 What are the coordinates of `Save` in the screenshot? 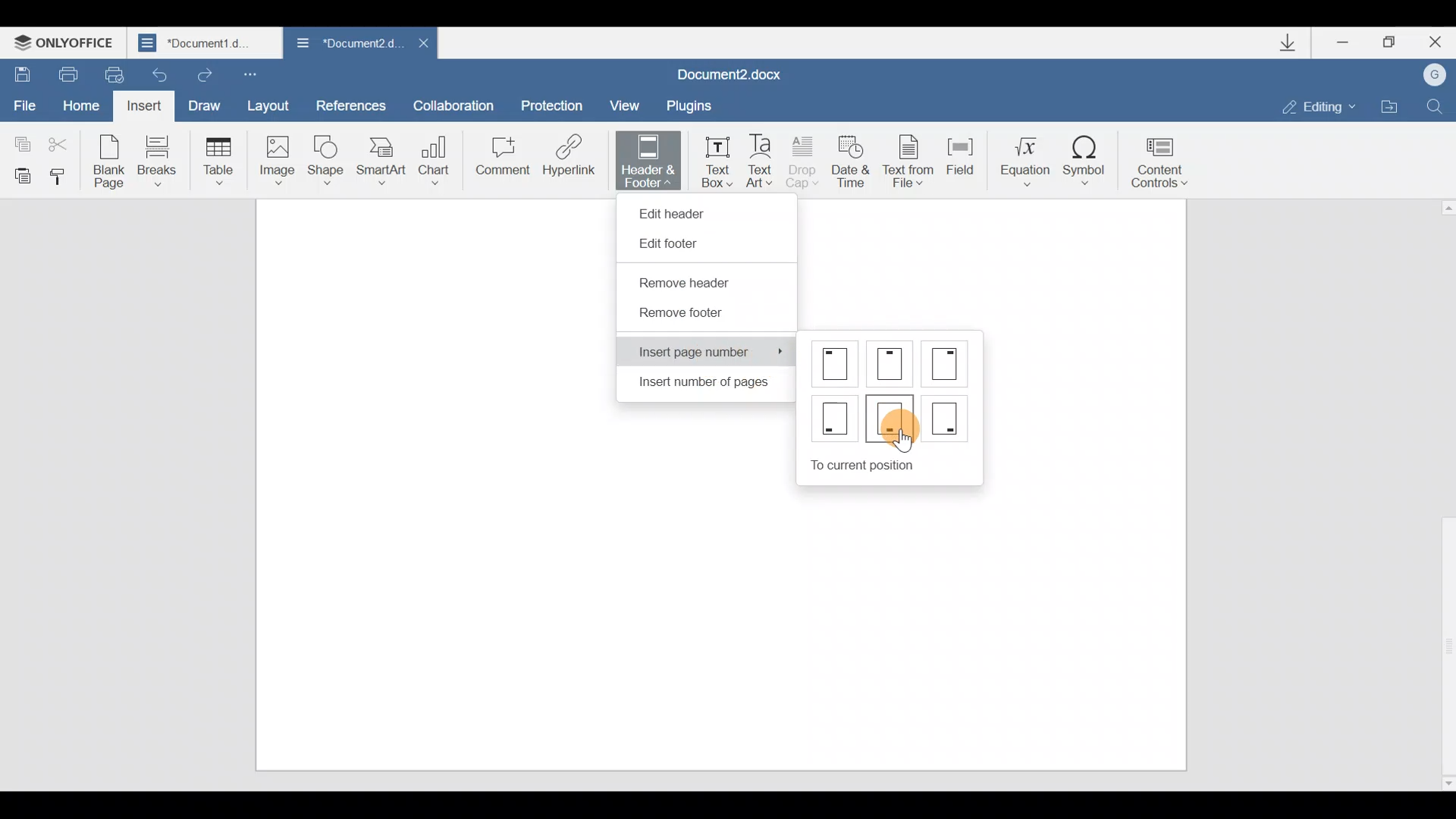 It's located at (21, 74).